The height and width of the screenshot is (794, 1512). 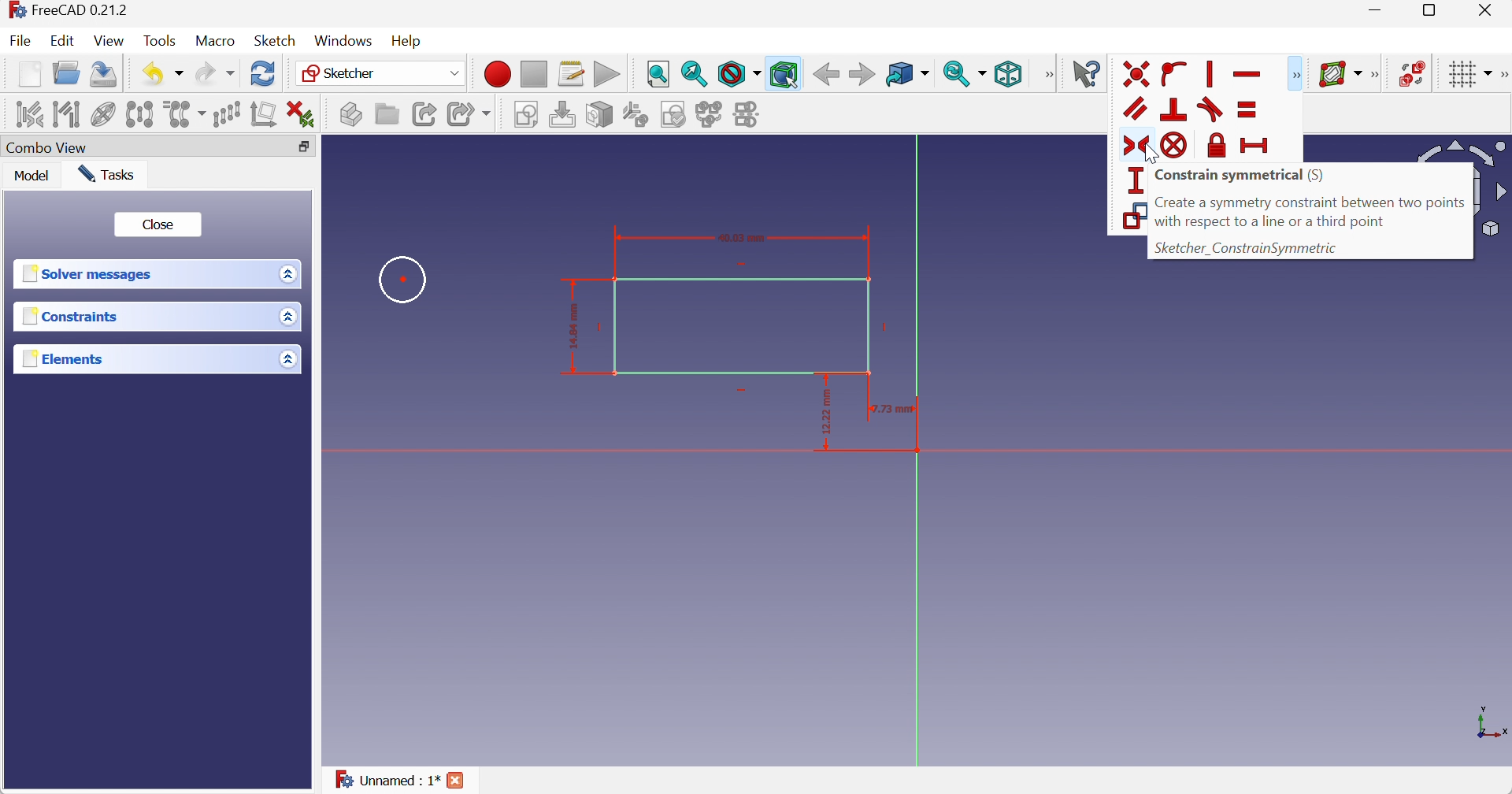 What do you see at coordinates (1247, 109) in the screenshot?
I see `Constrain equal` at bounding box center [1247, 109].